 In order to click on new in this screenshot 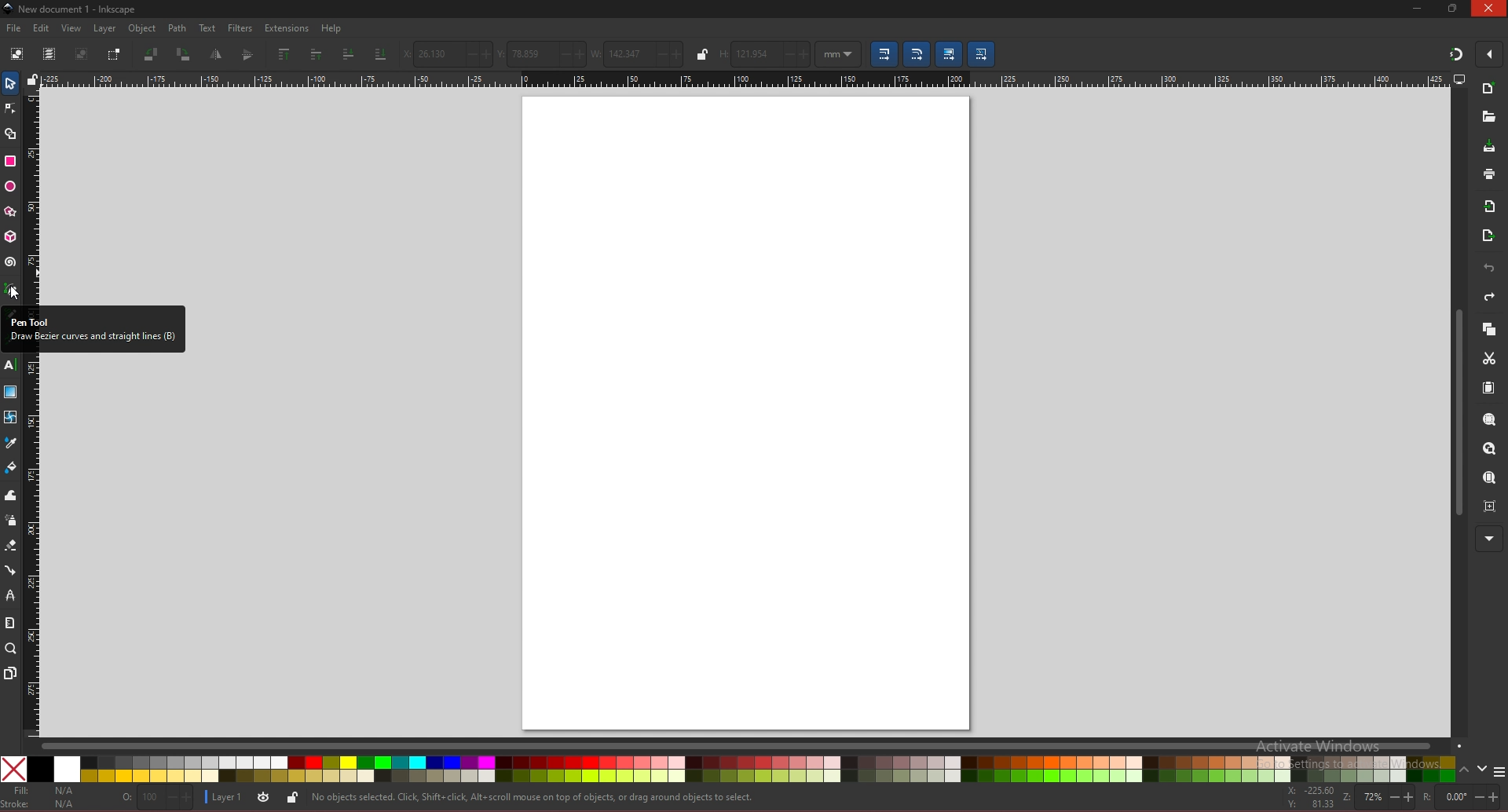, I will do `click(1489, 90)`.